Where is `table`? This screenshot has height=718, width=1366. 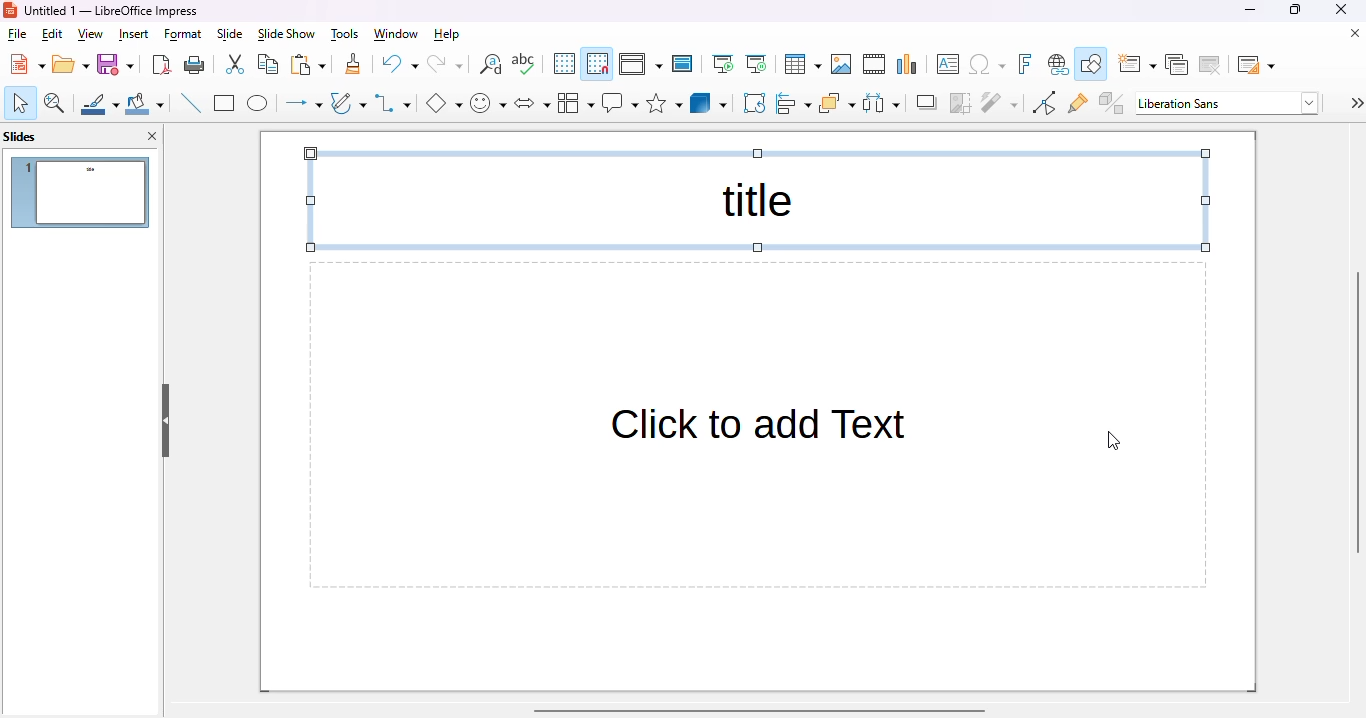
table is located at coordinates (803, 64).